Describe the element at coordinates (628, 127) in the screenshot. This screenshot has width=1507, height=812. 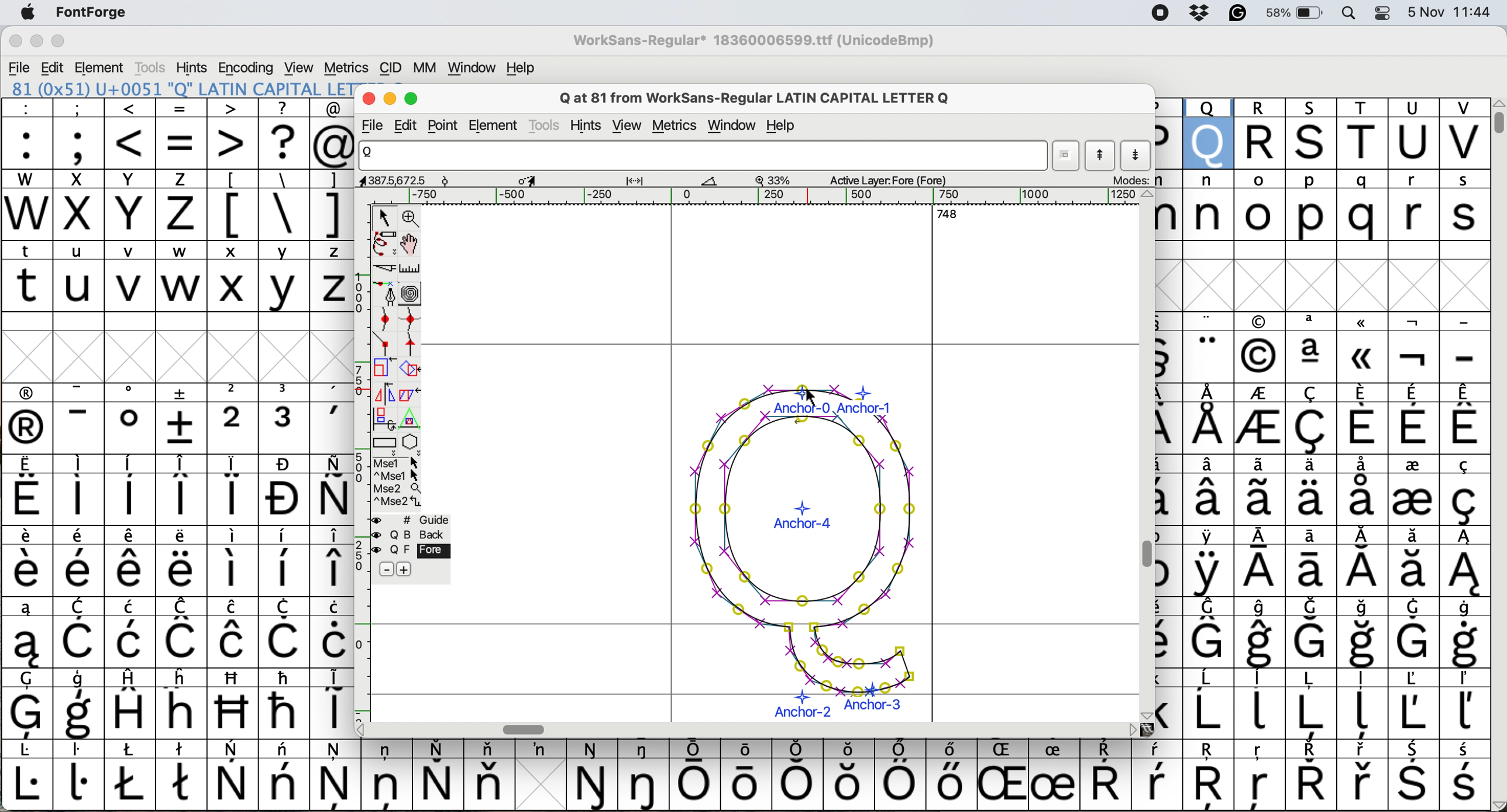
I see `view` at that location.